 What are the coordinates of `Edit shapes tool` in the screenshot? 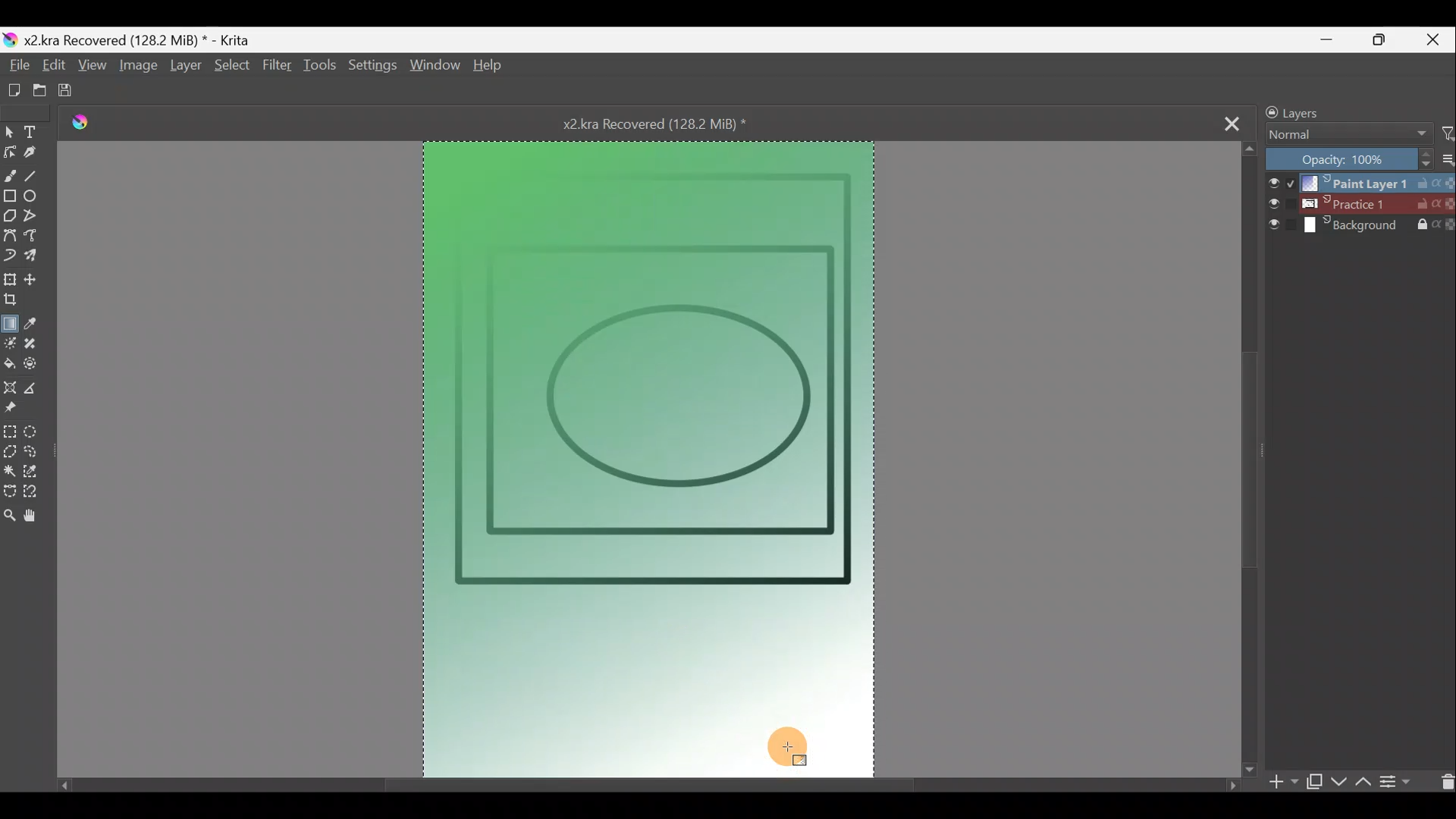 It's located at (9, 154).